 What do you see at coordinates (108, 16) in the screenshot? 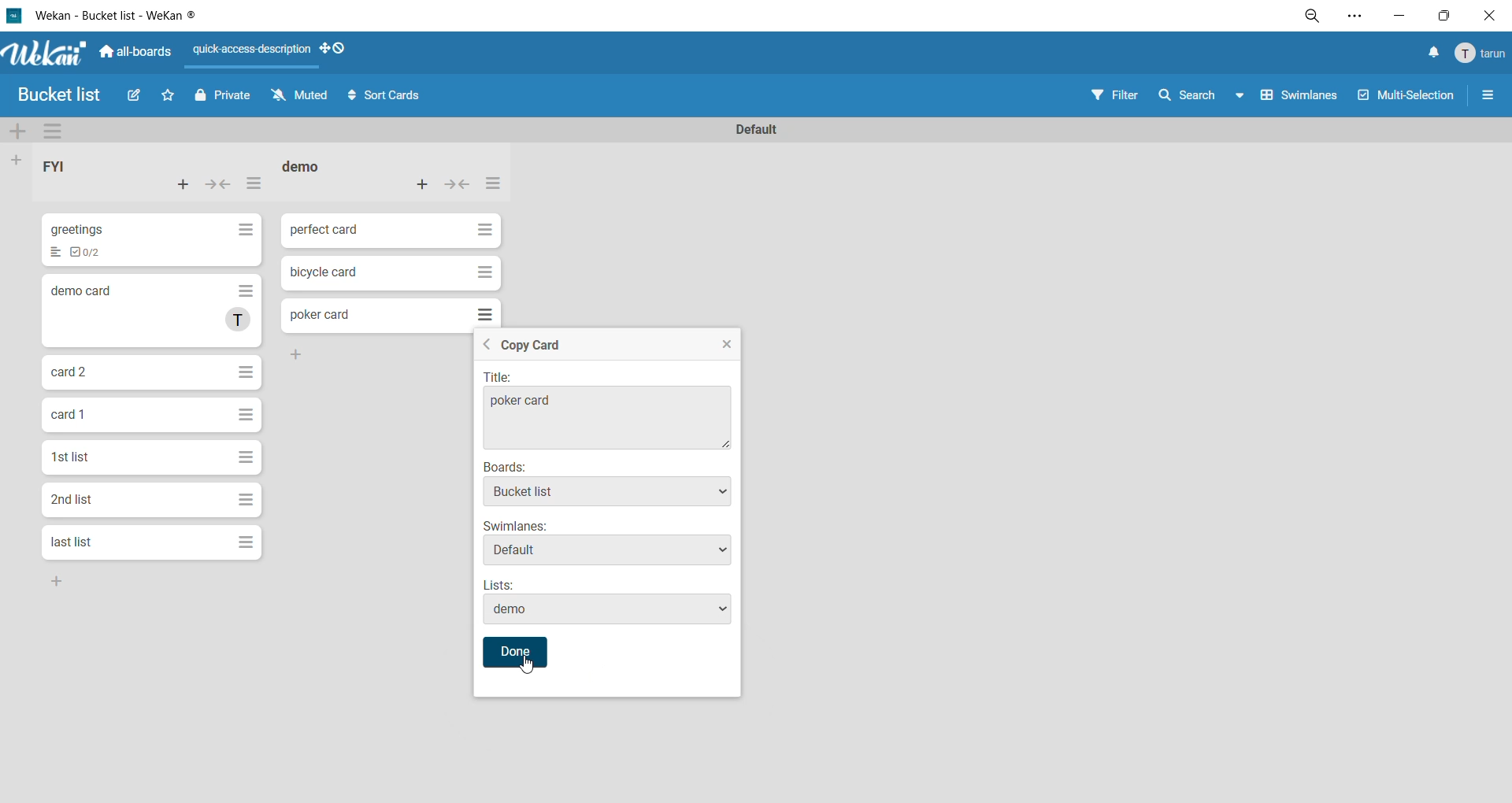
I see `Wekan - Bucket list - WeKan` at bounding box center [108, 16].